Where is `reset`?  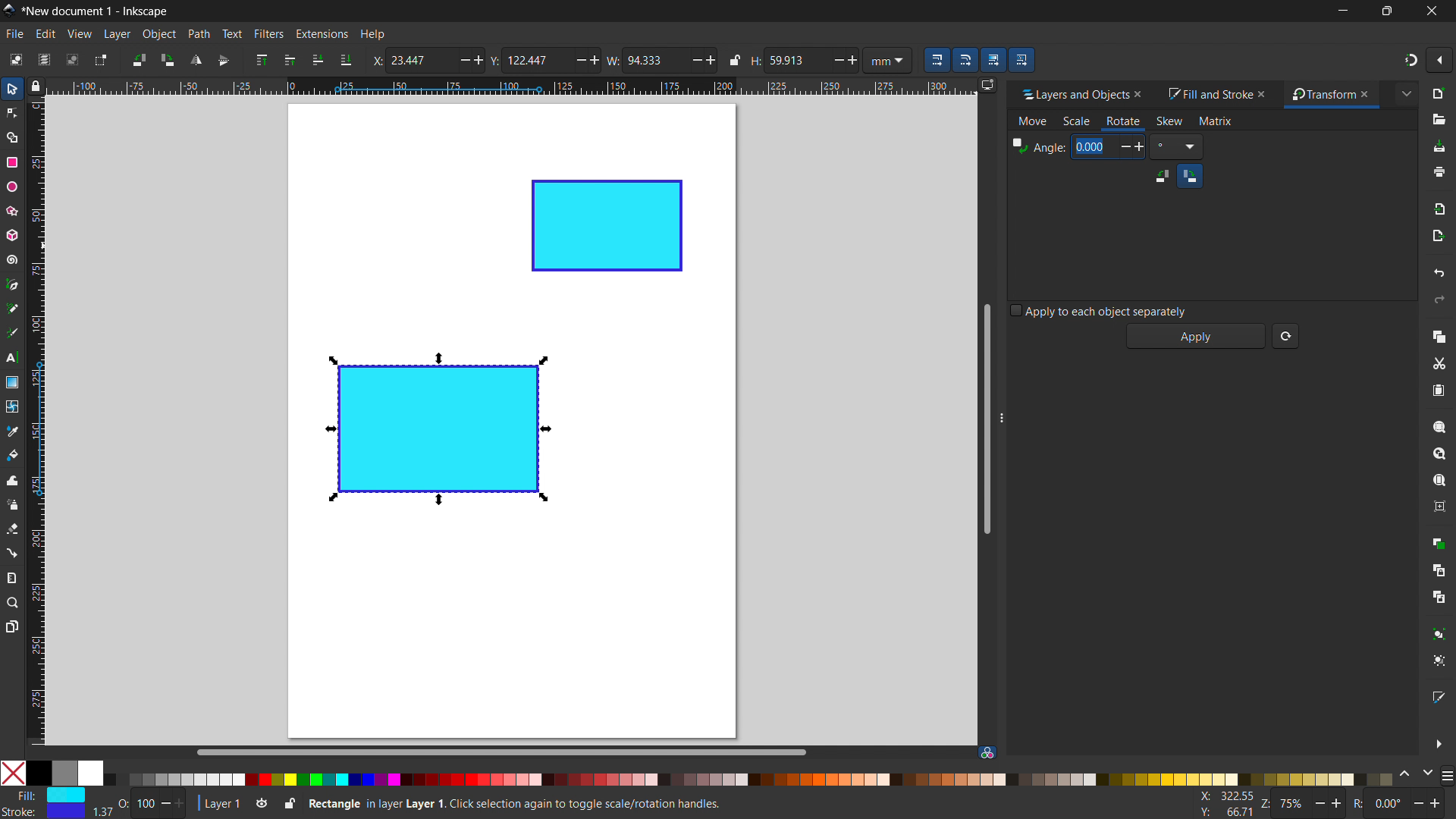
reset is located at coordinates (1285, 336).